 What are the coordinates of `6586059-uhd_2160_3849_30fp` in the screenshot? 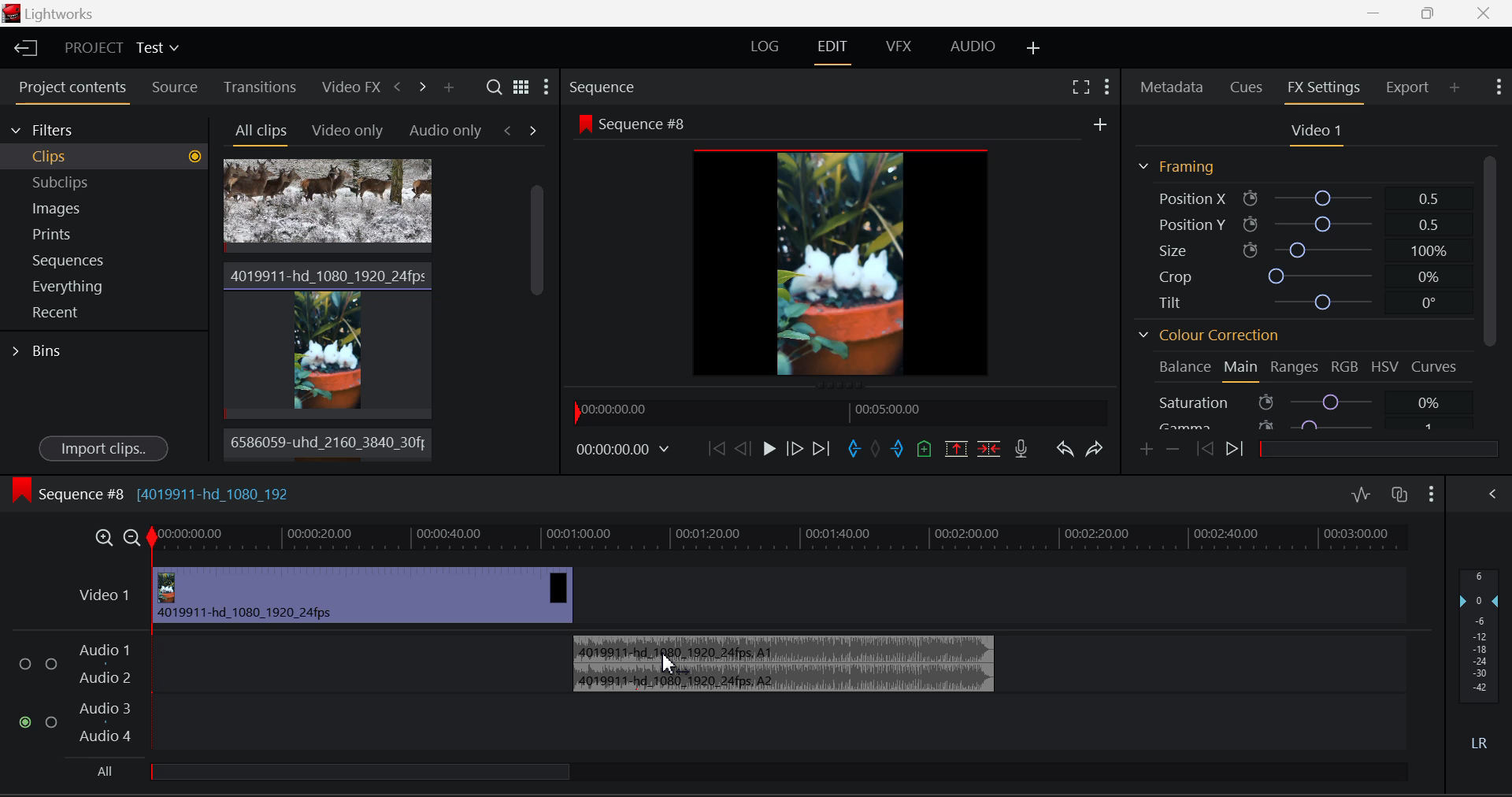 It's located at (324, 443).